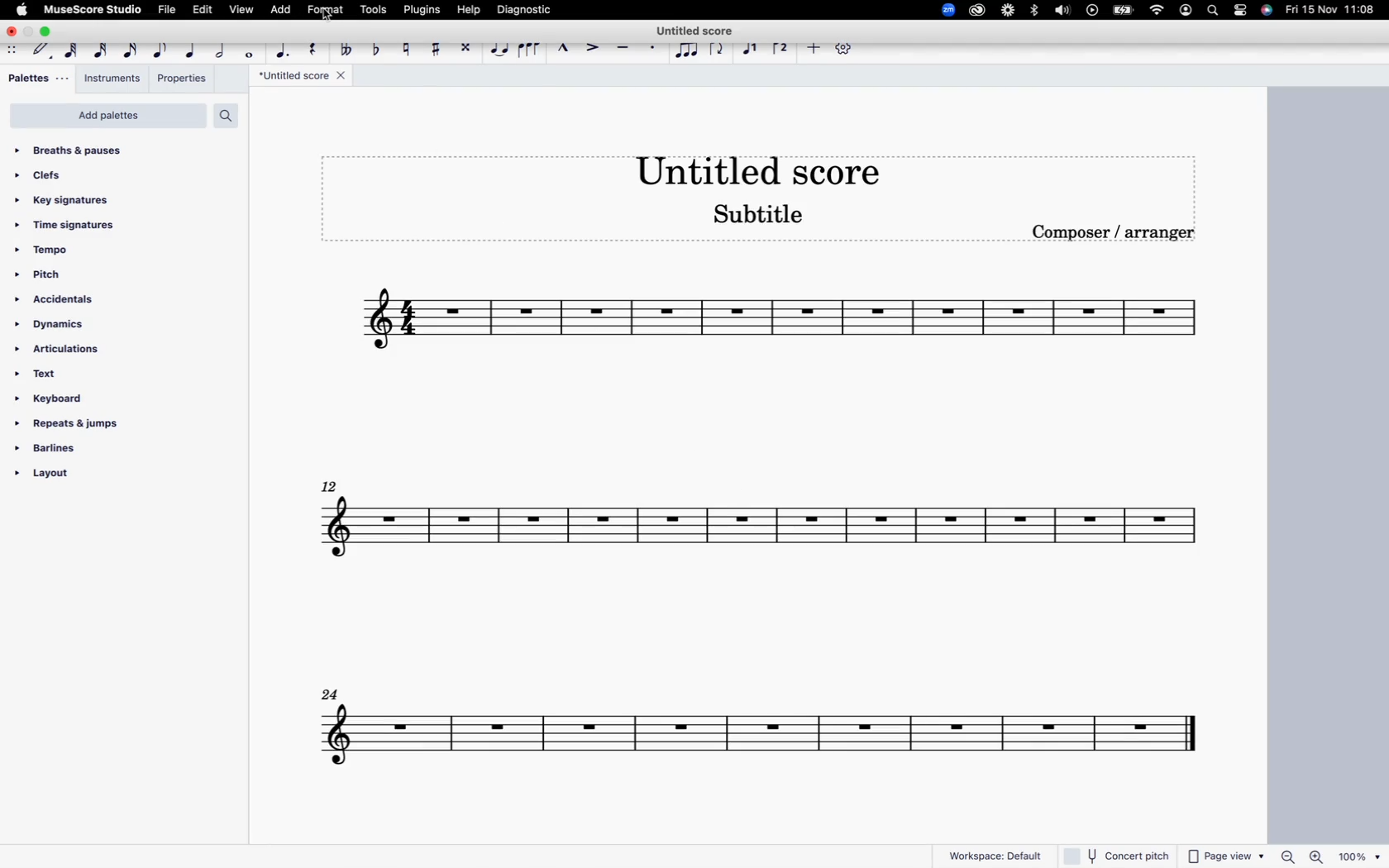 The image size is (1389, 868). What do you see at coordinates (764, 162) in the screenshot?
I see `score title` at bounding box center [764, 162].